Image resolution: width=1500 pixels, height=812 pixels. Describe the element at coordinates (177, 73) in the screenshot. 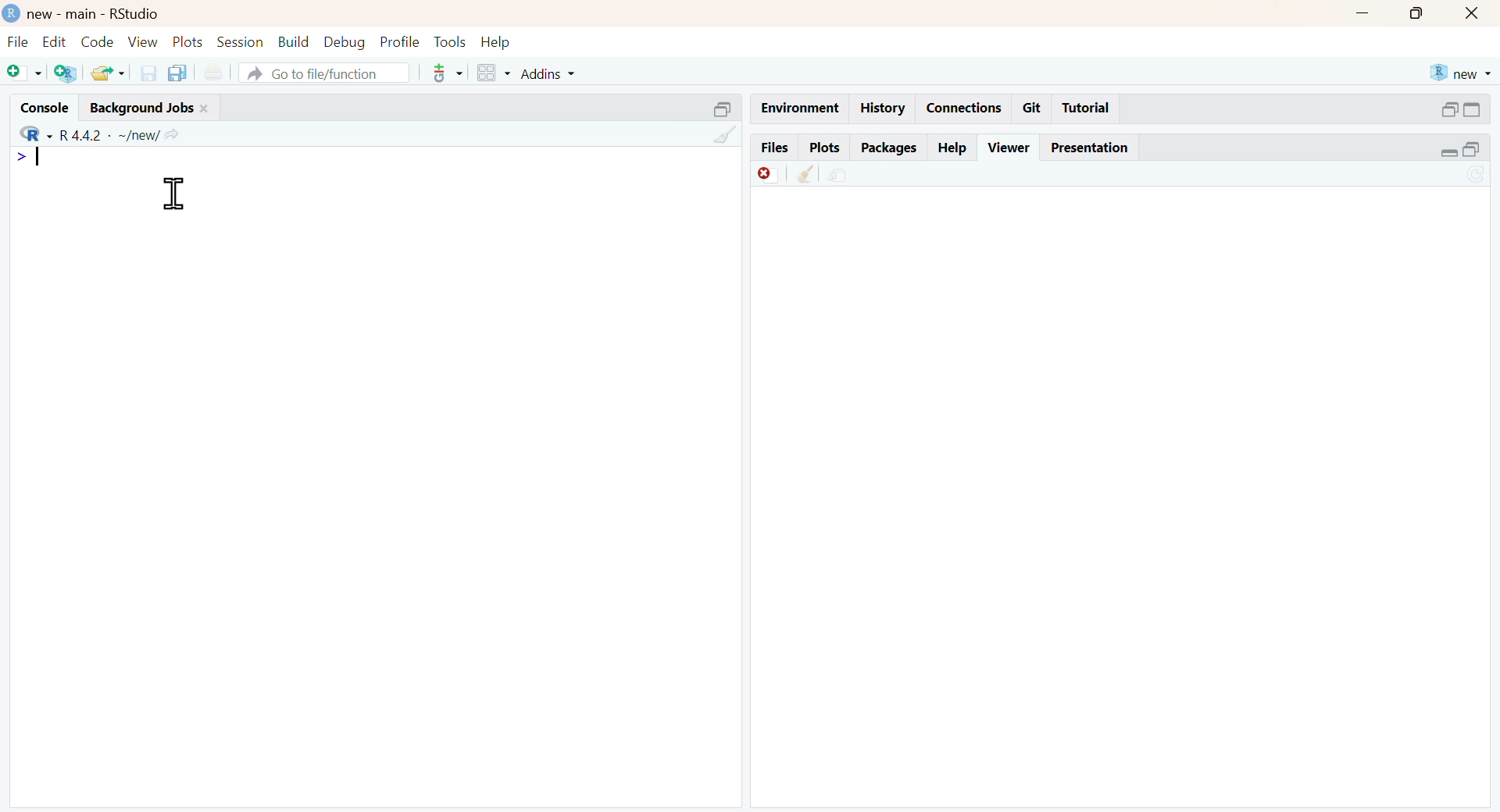

I see `copy` at that location.